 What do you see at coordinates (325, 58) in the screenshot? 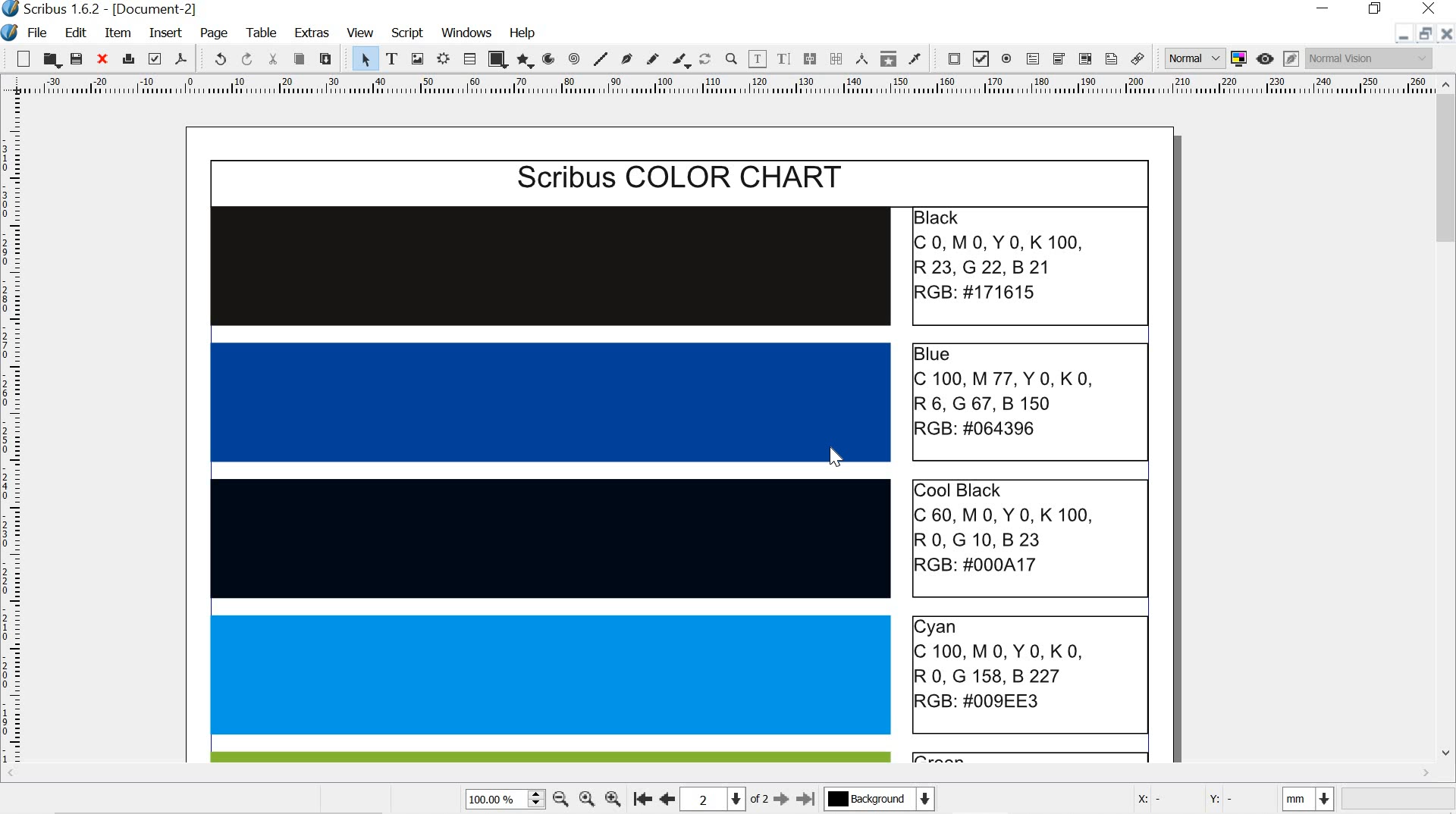
I see `paste` at bounding box center [325, 58].